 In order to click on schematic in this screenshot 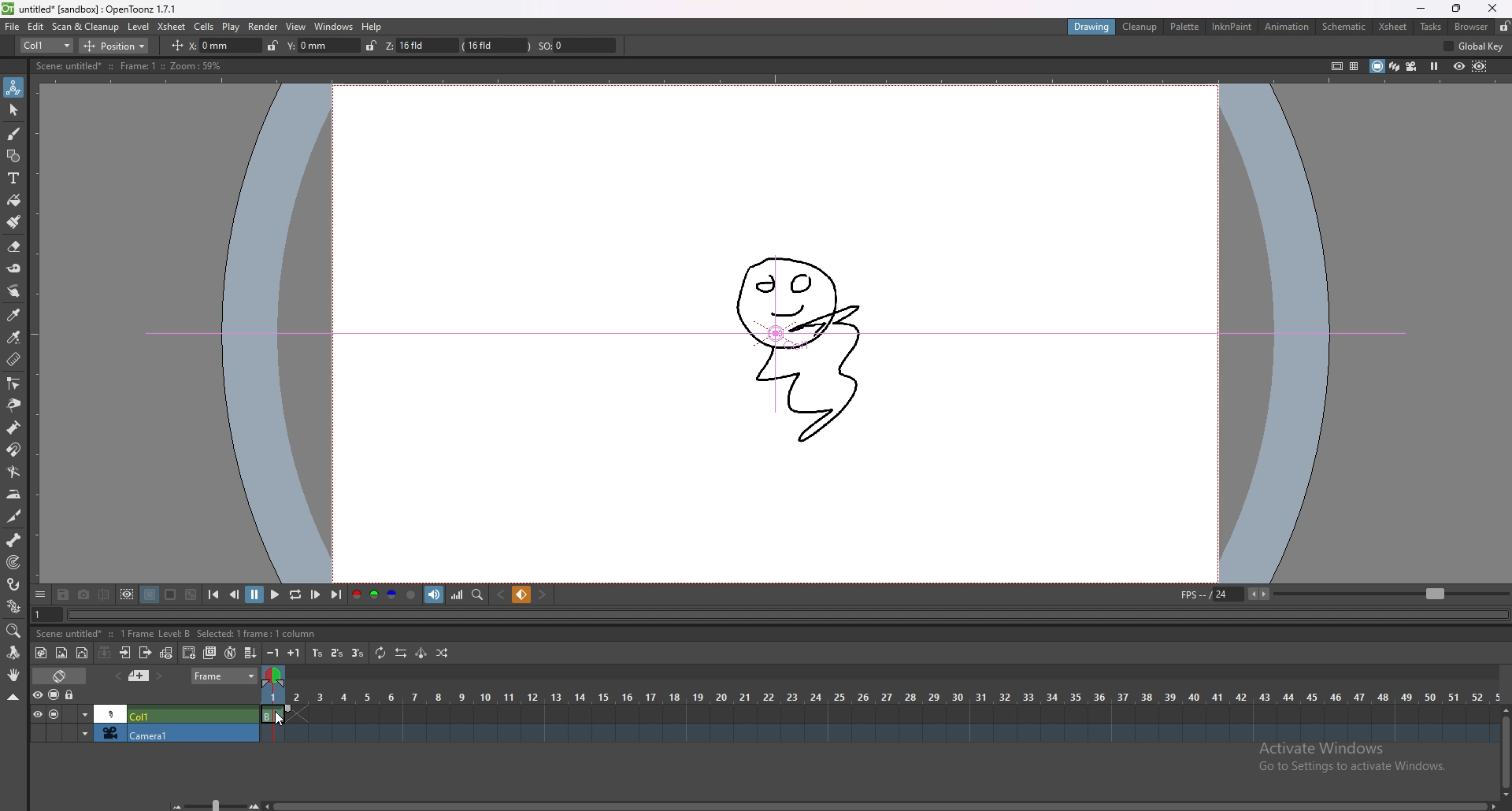, I will do `click(1344, 26)`.